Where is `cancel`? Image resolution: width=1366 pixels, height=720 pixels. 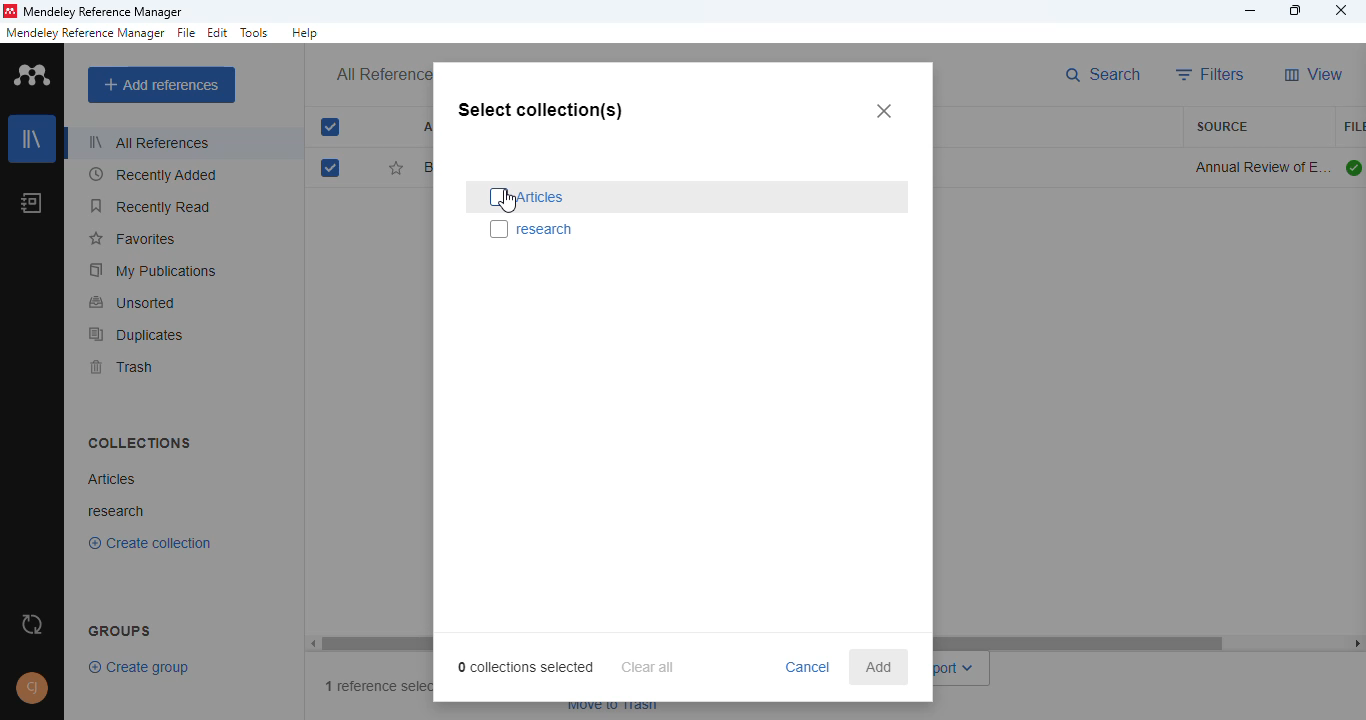 cancel is located at coordinates (809, 667).